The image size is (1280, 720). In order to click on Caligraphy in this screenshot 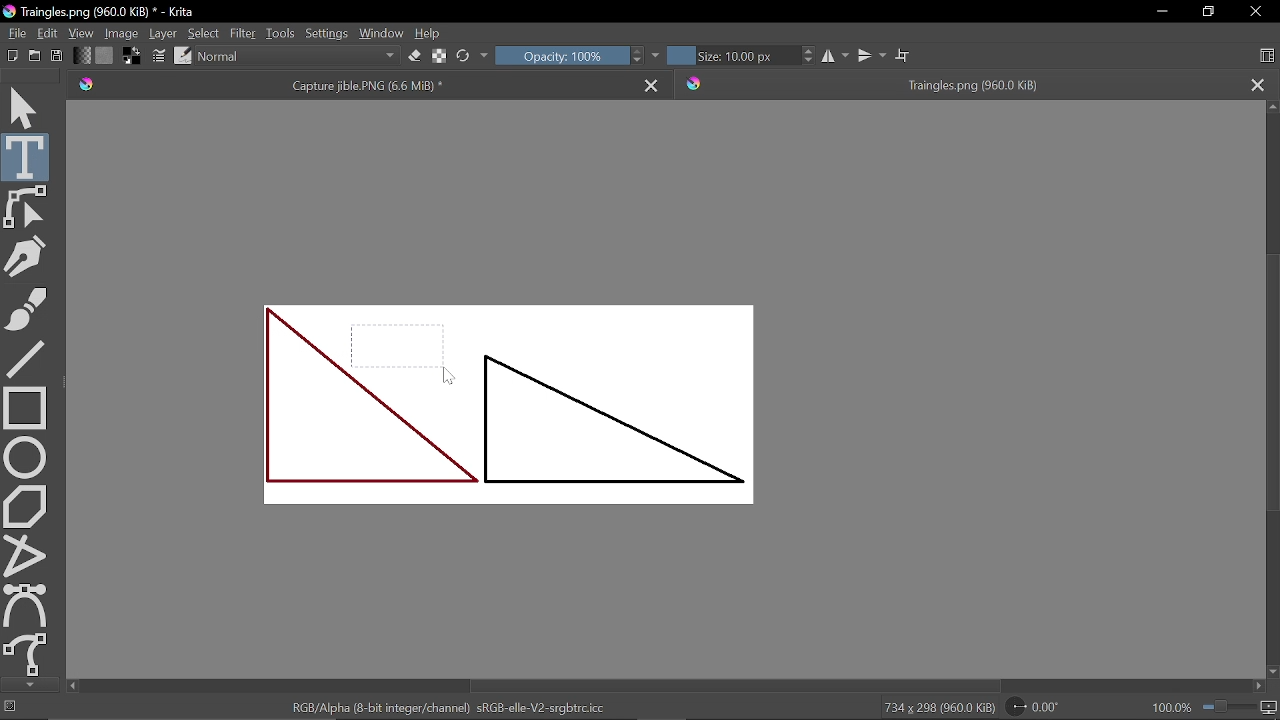, I will do `click(28, 255)`.